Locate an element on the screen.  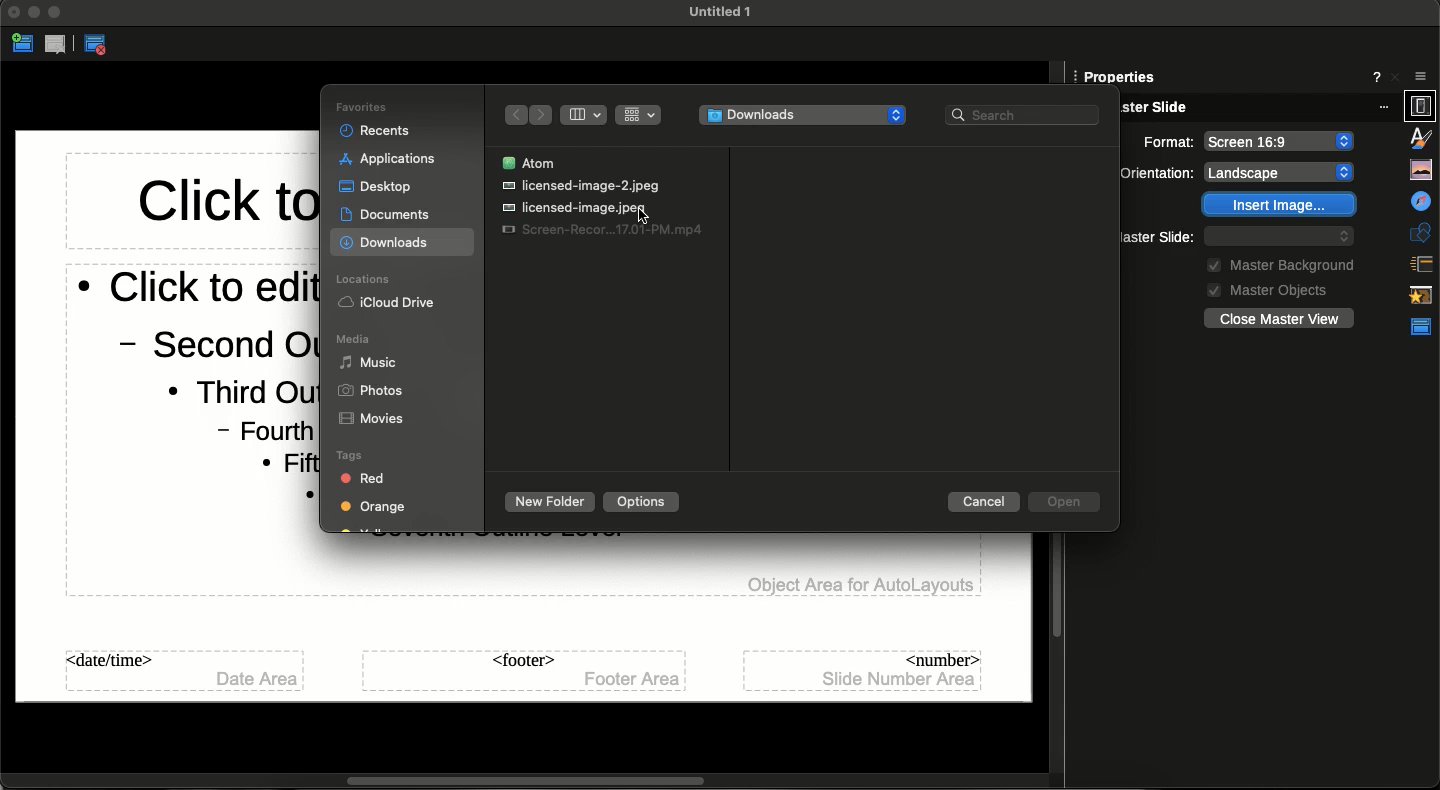
Scrollbar is located at coordinates (534, 779).